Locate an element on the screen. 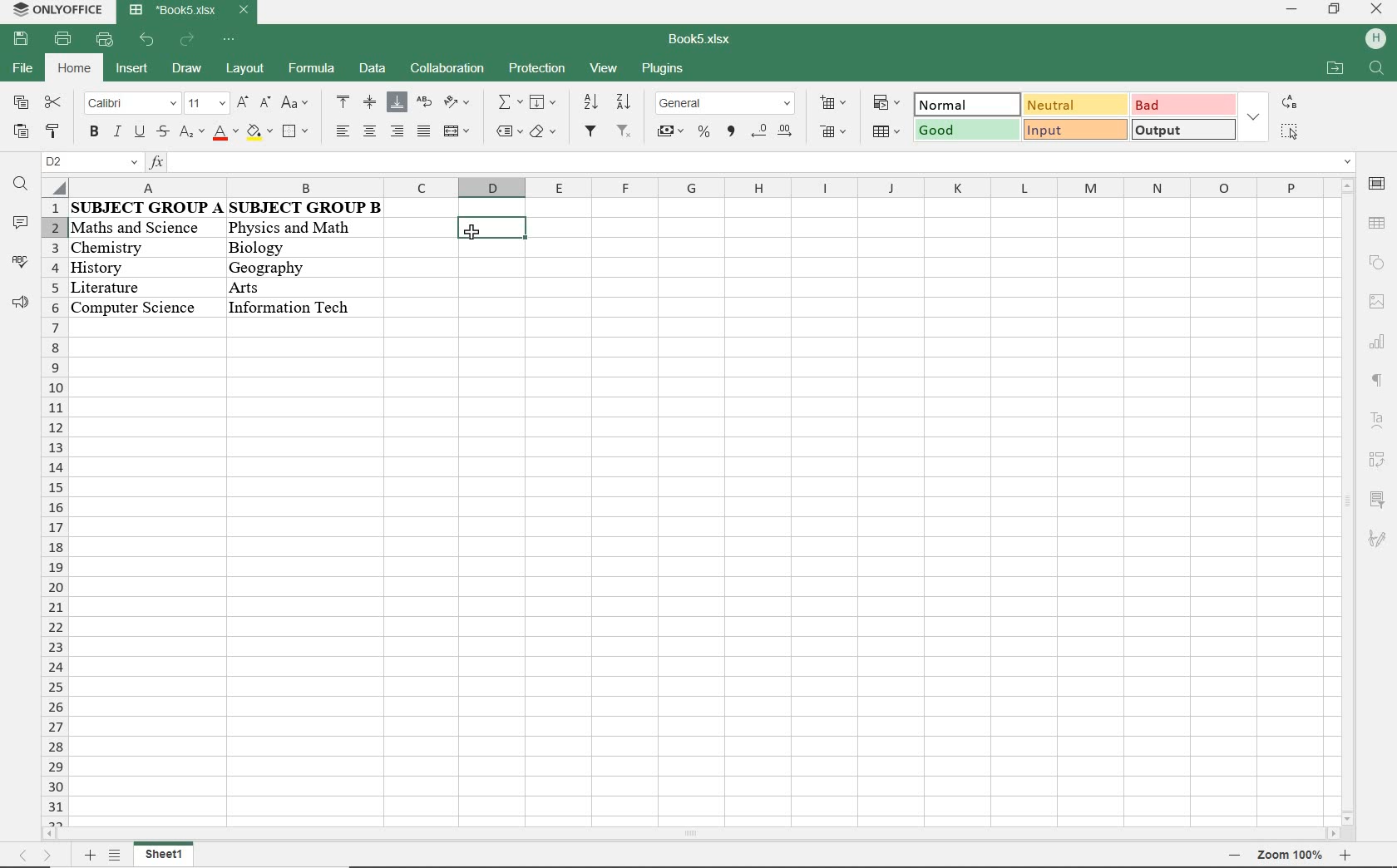 This screenshot has height=868, width=1397. select all is located at coordinates (1290, 131).